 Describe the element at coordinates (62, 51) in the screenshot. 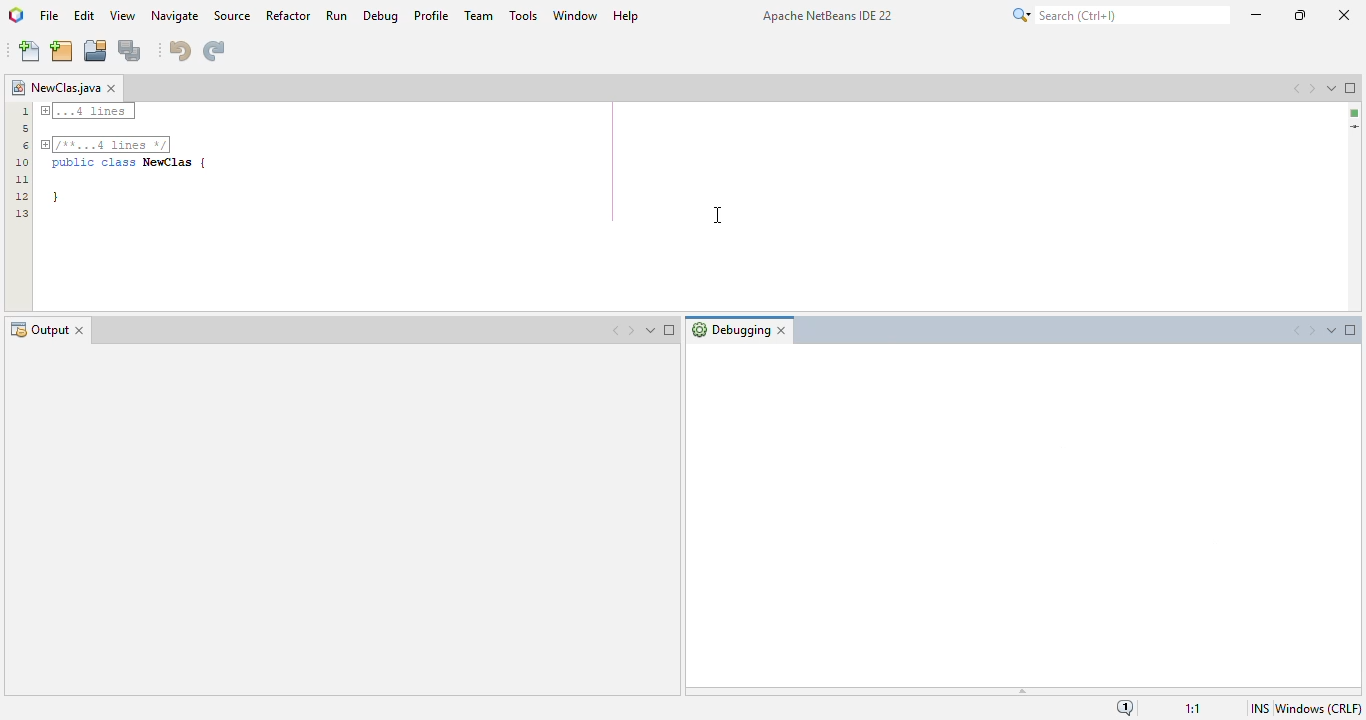

I see `new project` at that location.